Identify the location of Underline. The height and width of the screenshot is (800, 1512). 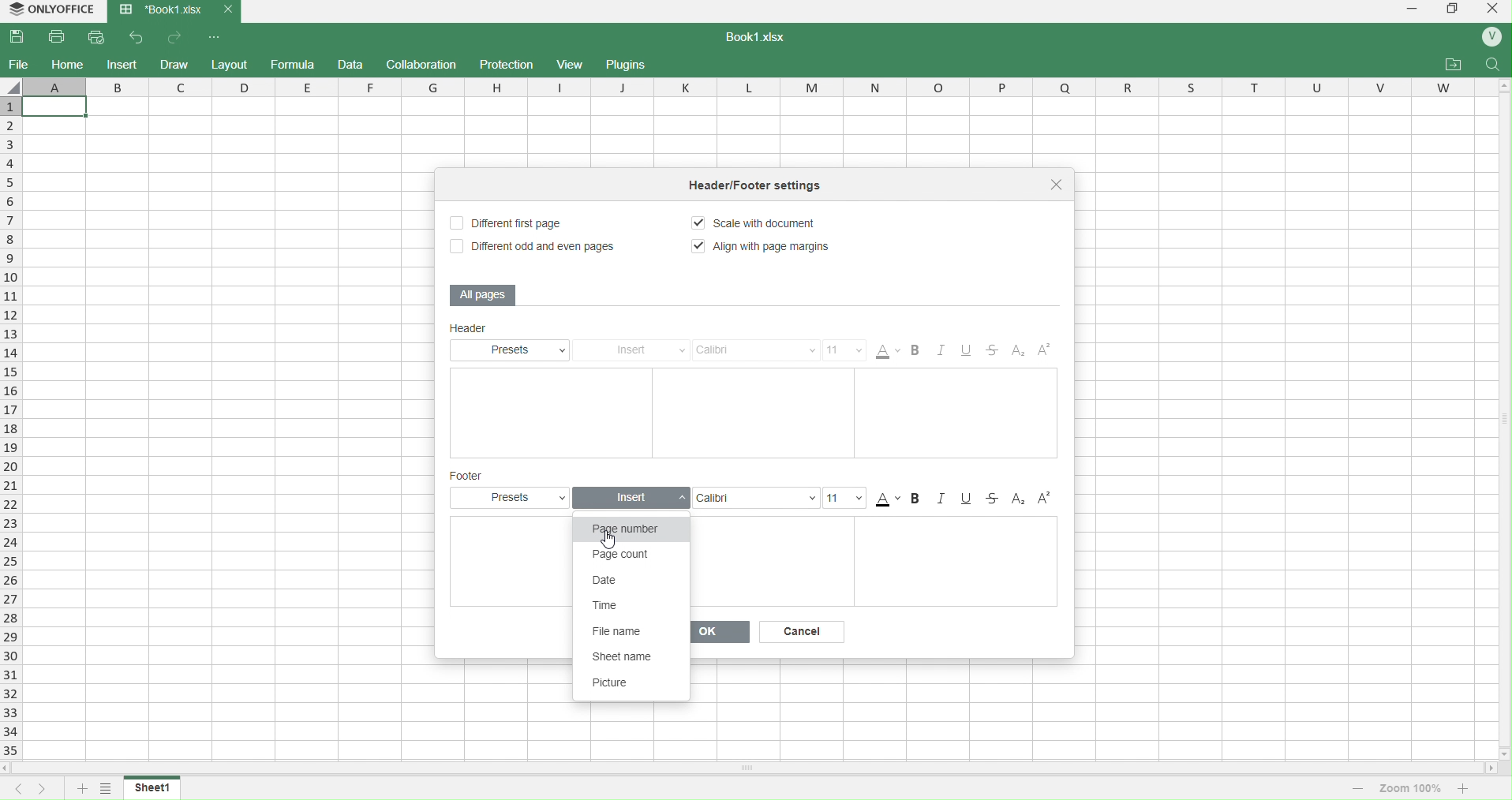
(972, 352).